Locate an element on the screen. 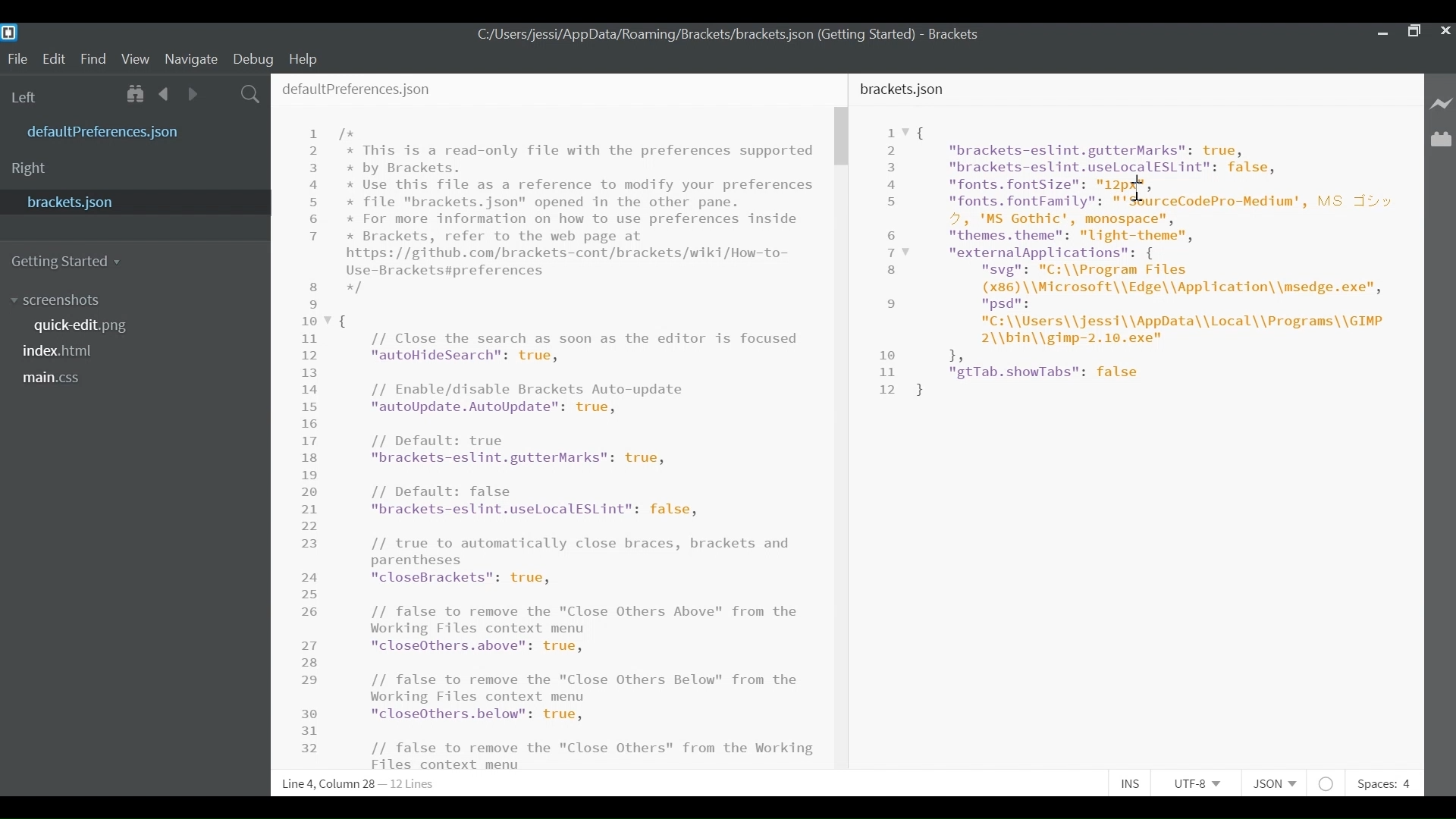  This is a read-only file with the preferences supported
by Brackets.
Use this file as a reference to modify your preferences
file "brackets.json" opened in the other pane.
For more information on how to use preferences inside
Brackets, refer to the web page at
tps: //github.com/brackets-cont/brackets/wiki/How-to-
.e-Brackets#preferences
// Close the search as soon as the editor is focused
"autoHideSearch": true,
// Enable/disable Brackets Auto-update
"autoUpdate.AutoUpdate": true,
// Default: true
"brackets-eslint.gutterMarks": true,
// Default: false
"brackets-eslint.uselLocalESLint": false,
// true to automatically close braces, brackets and
parentheses
"closeBrackets": true,
// false to remove the "Close Others Above" from the
Working Files context menu
"closeOthers.above": true,
// false to remove the "Close Others Below" from the
Working Files context menu
"closeOthers.below": true,
// false to remove the "Close Others" from the Working
Files context menu is located at coordinates (580, 447).